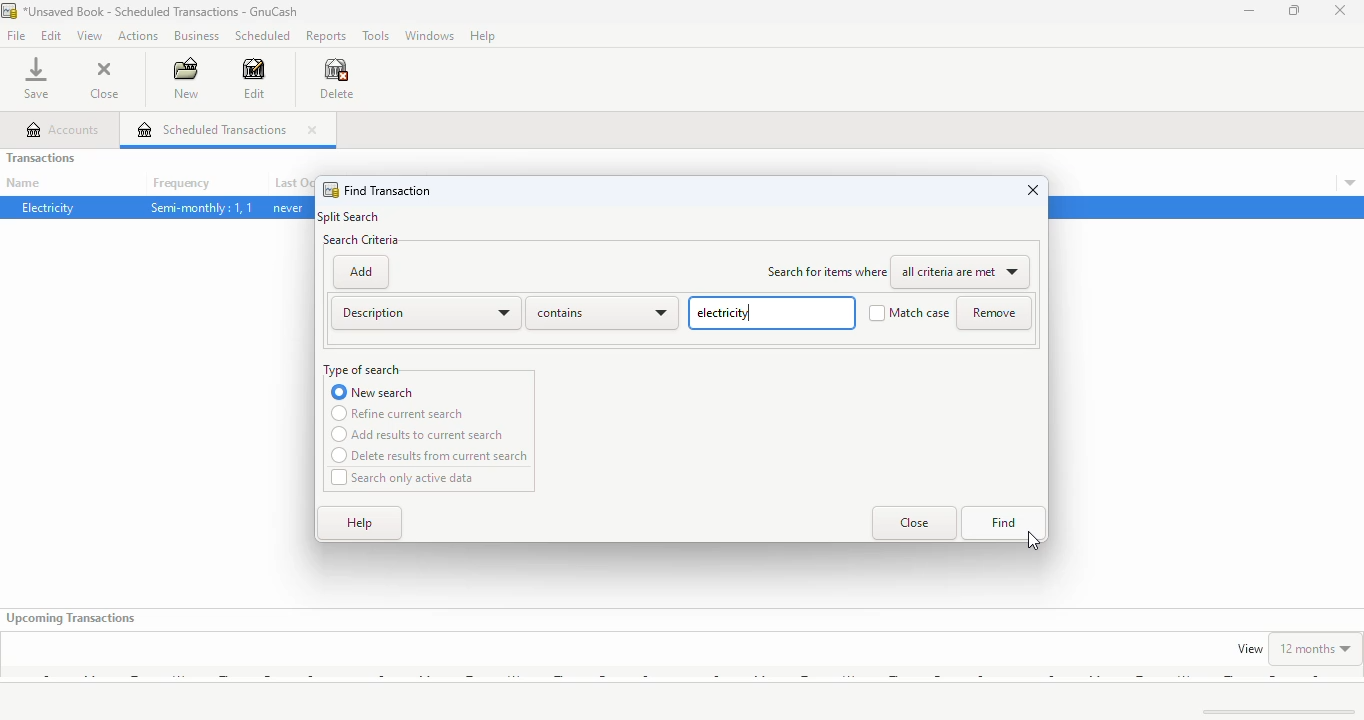 The image size is (1364, 720). Describe the element at coordinates (602, 313) in the screenshot. I see `contains` at that location.